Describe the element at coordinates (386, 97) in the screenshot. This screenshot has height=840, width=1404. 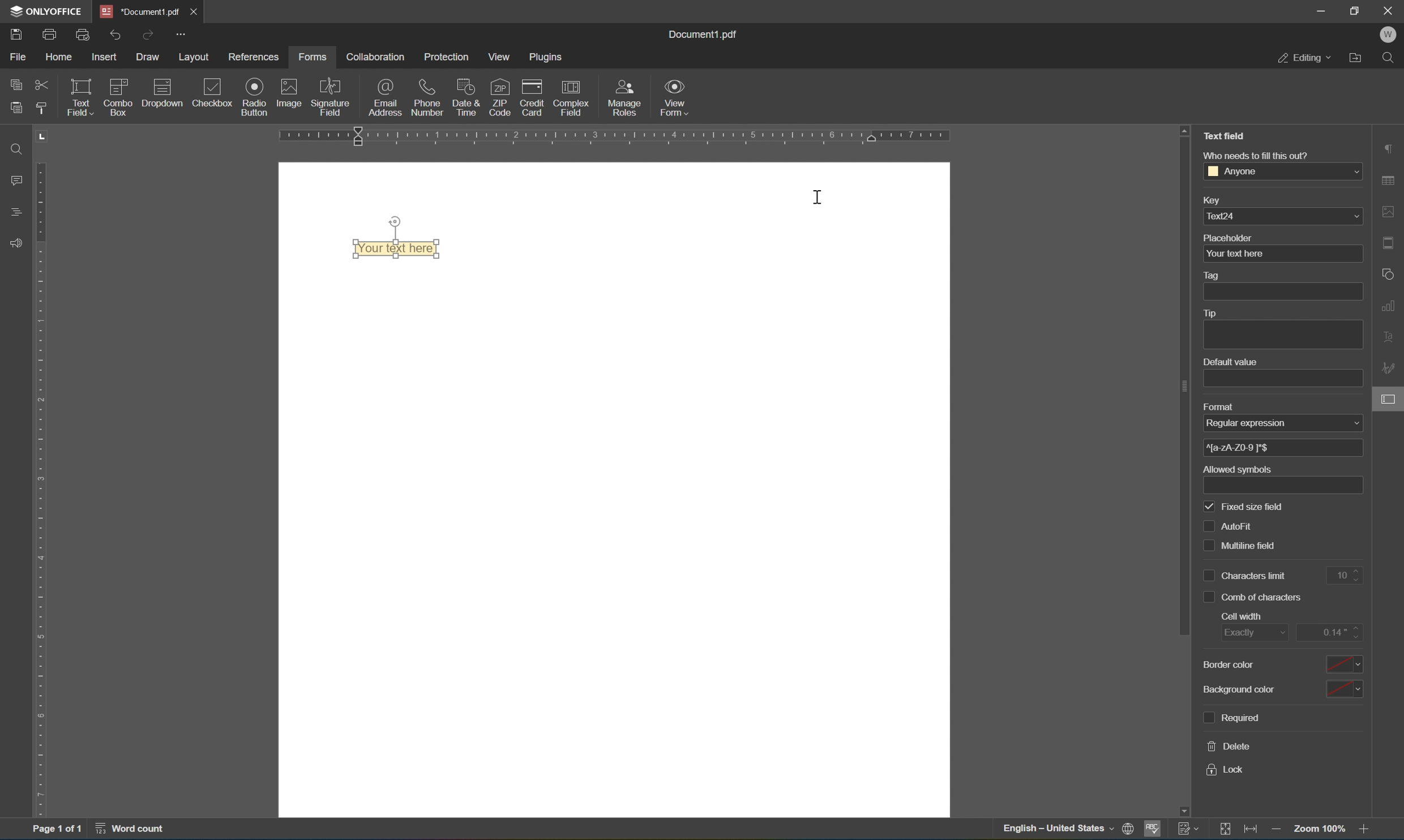
I see `email address` at that location.